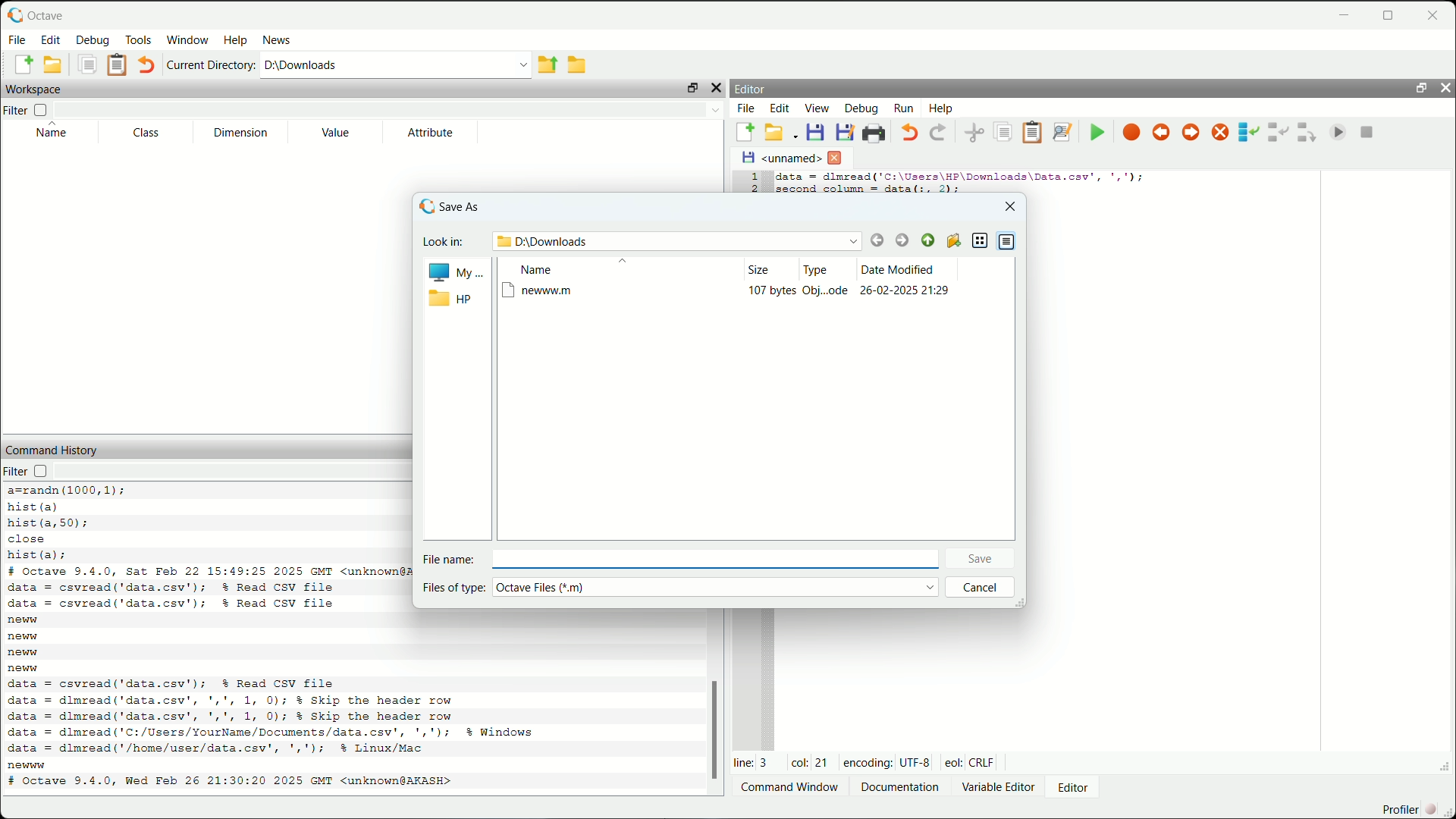  What do you see at coordinates (817, 111) in the screenshot?
I see `view` at bounding box center [817, 111].